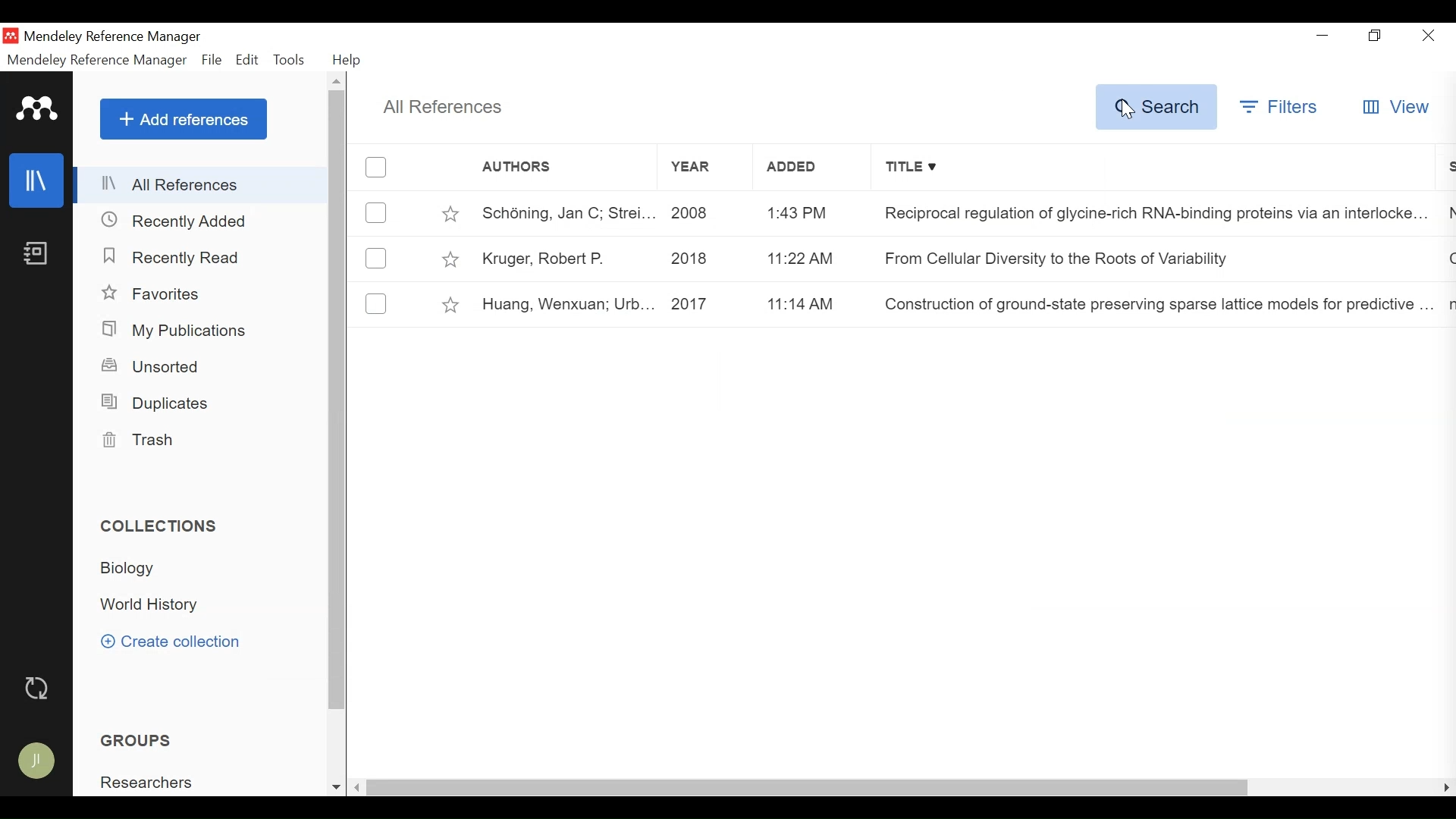 The image size is (1456, 819). Describe the element at coordinates (708, 213) in the screenshot. I see `2008` at that location.